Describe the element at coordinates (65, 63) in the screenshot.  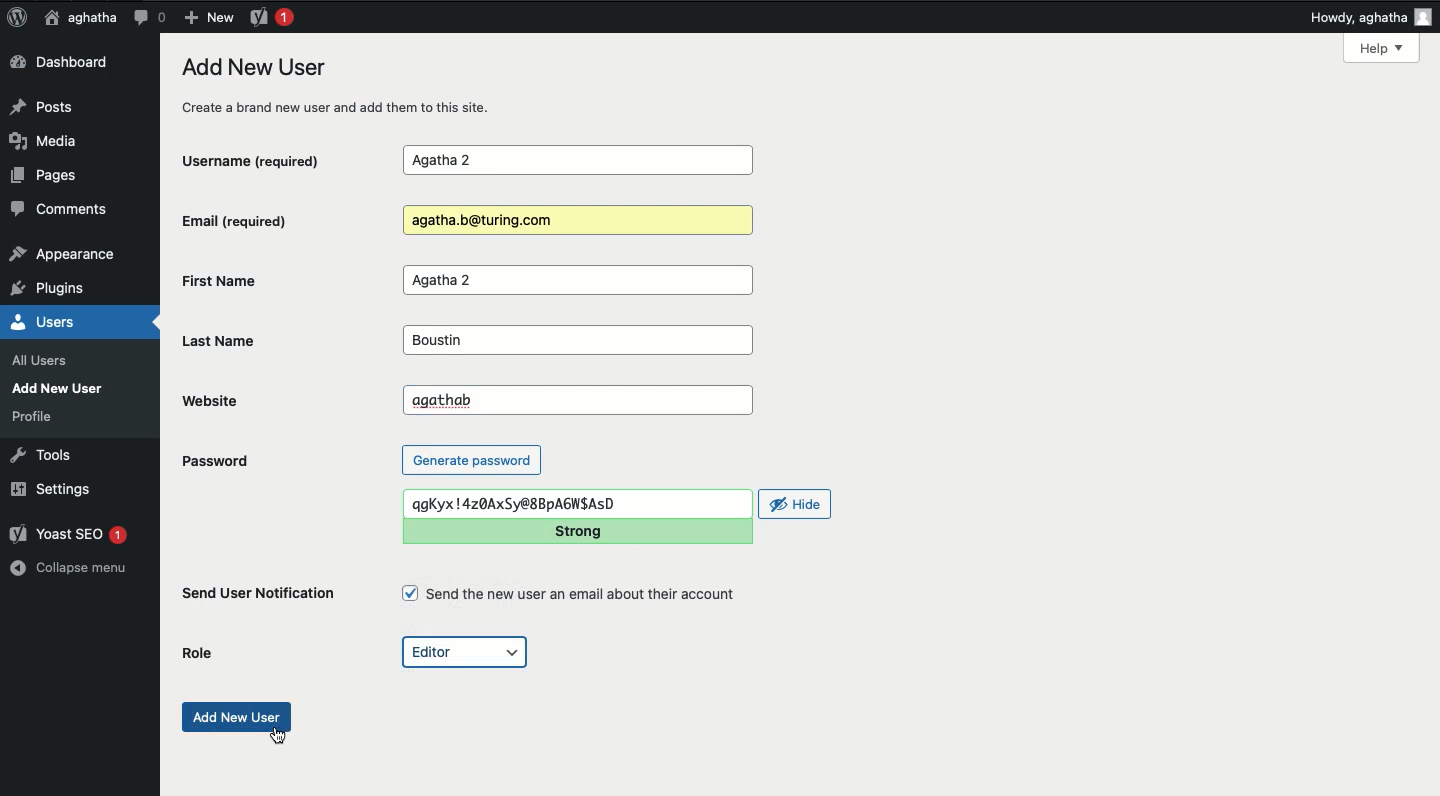
I see `Dashboard` at that location.